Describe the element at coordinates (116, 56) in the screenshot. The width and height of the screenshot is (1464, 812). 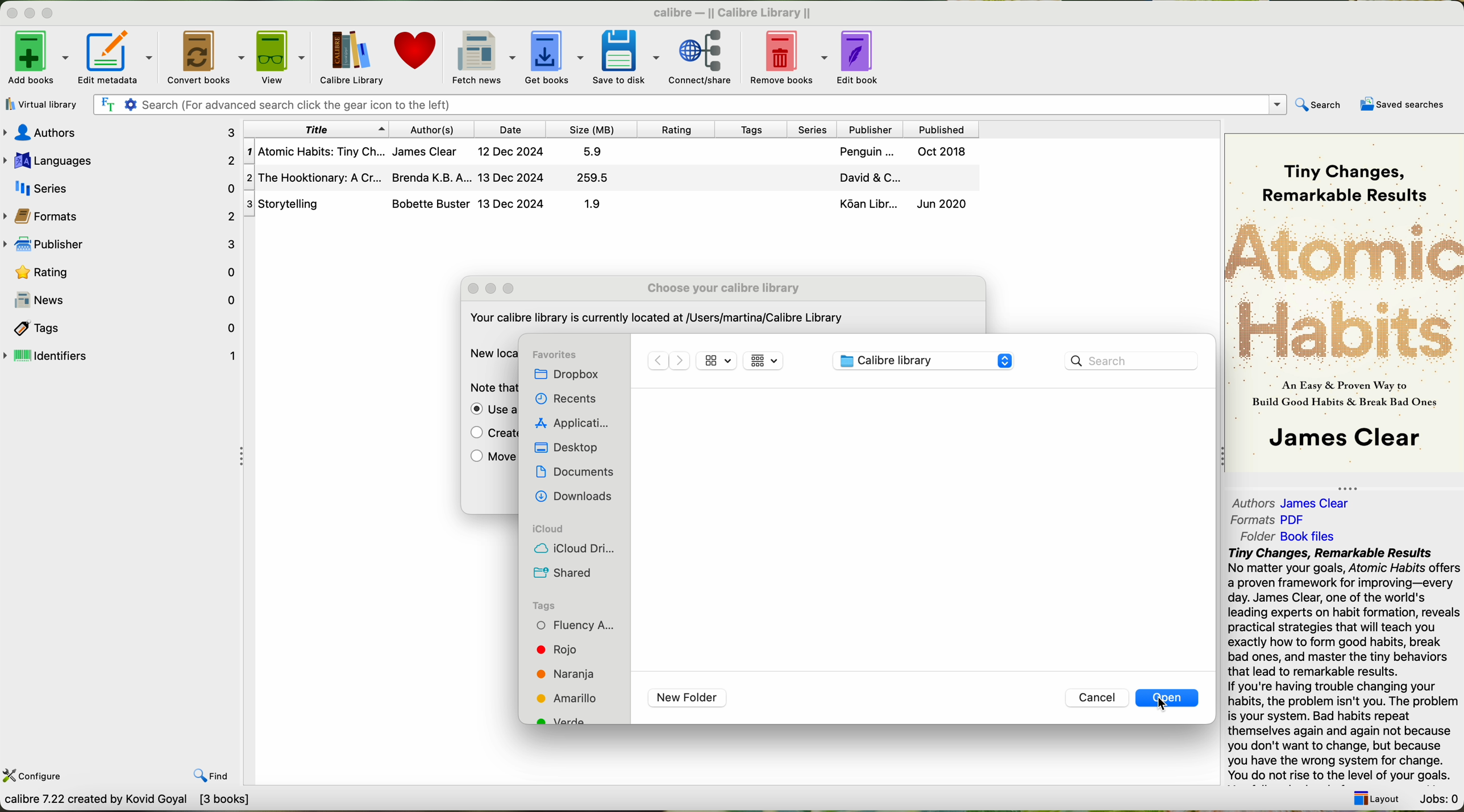
I see `edit metadata` at that location.